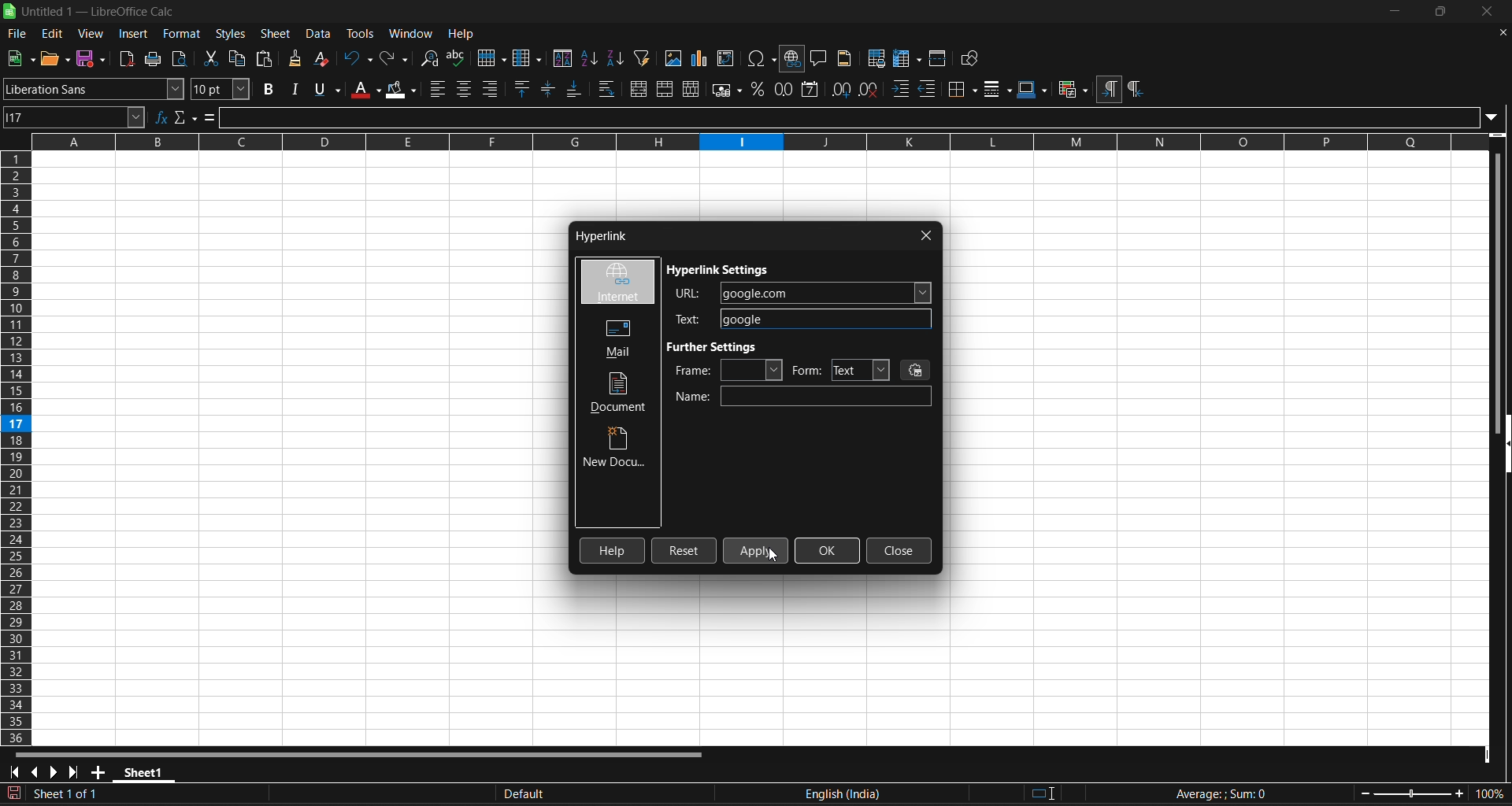 Image resolution: width=1512 pixels, height=806 pixels. Describe the element at coordinates (210, 57) in the screenshot. I see `cut` at that location.